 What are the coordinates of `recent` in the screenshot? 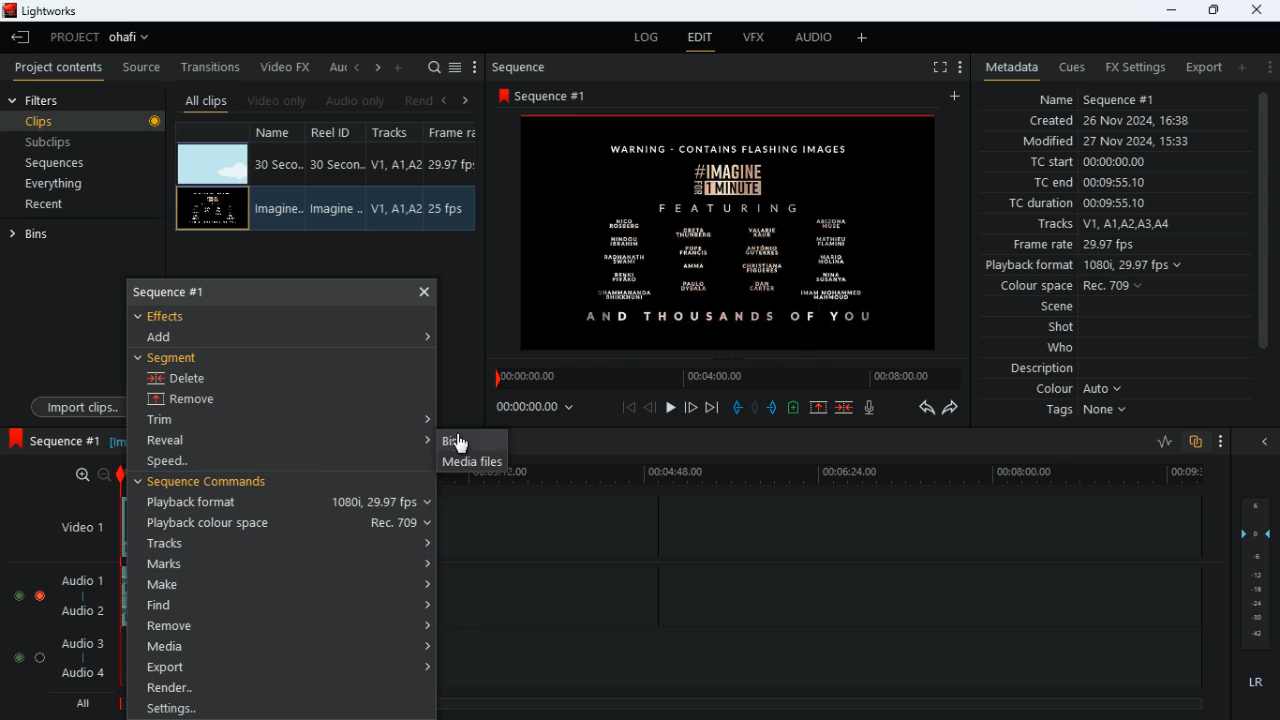 It's located at (62, 206).